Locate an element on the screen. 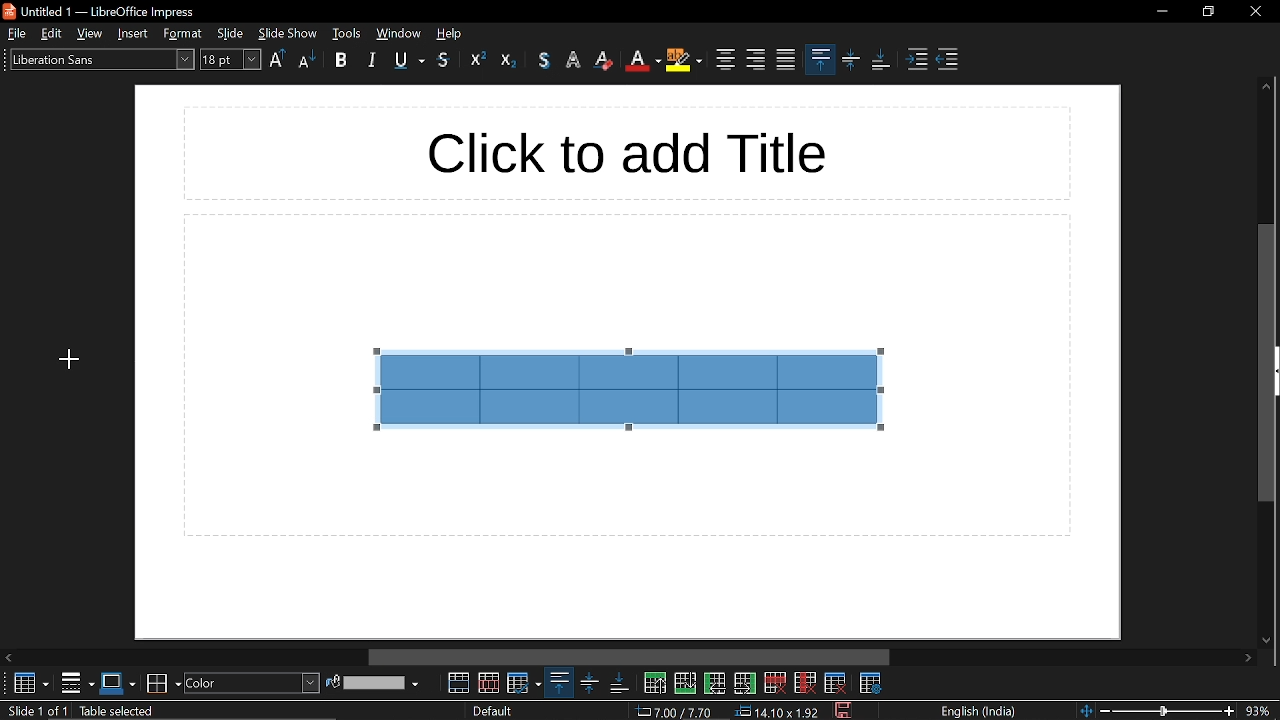 This screenshot has height=720, width=1280. align top is located at coordinates (821, 59).